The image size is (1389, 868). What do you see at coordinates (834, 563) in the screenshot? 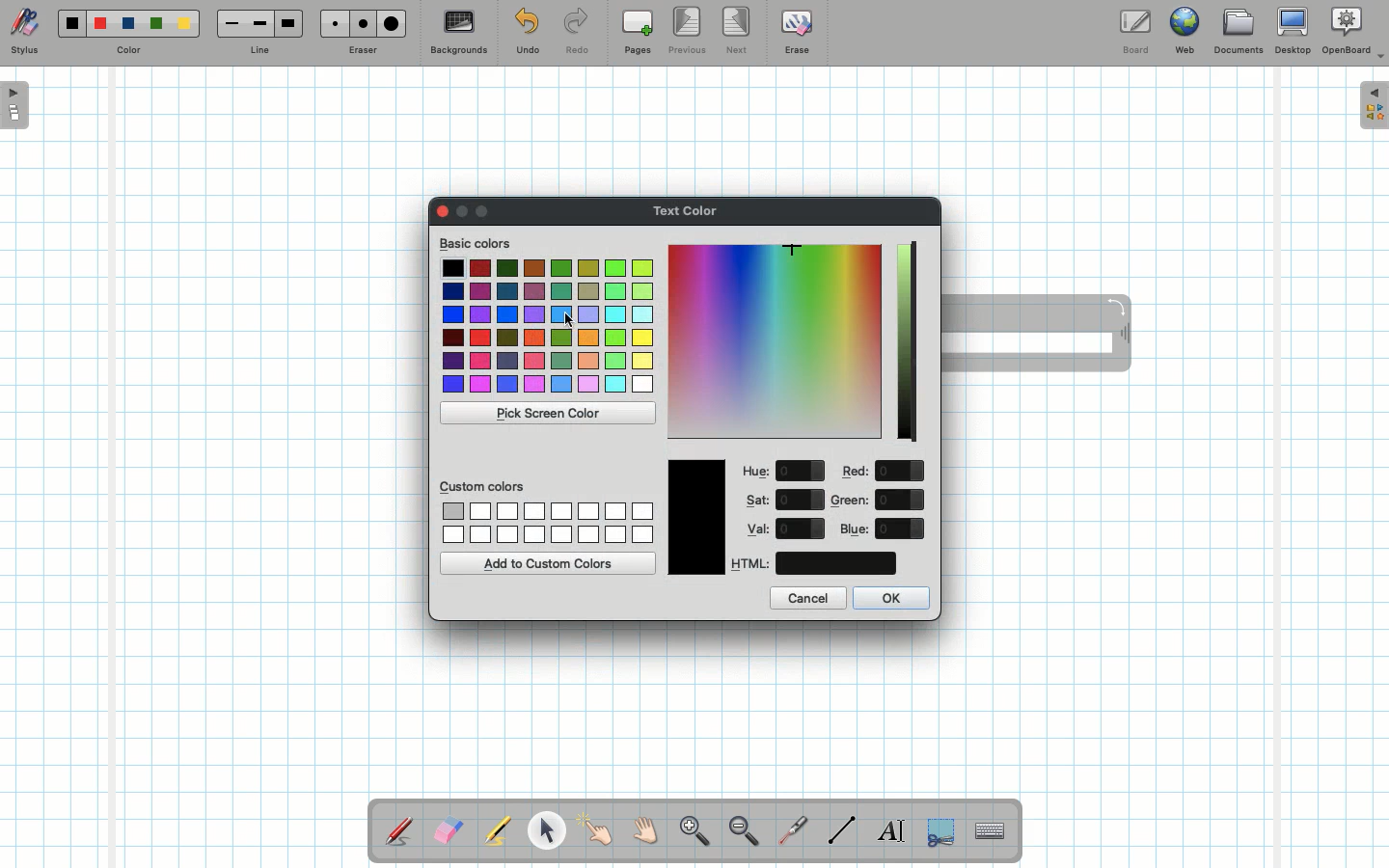
I see `color code` at bounding box center [834, 563].